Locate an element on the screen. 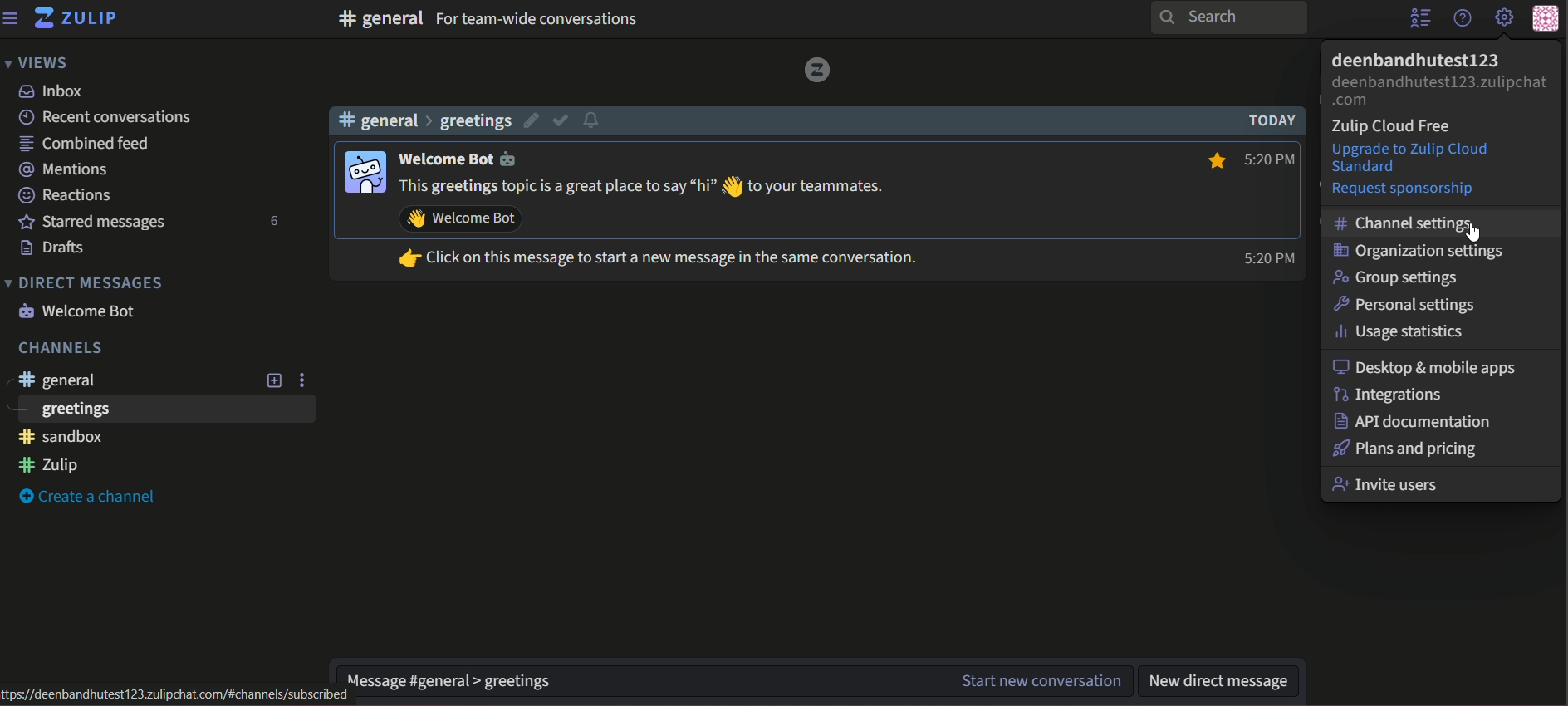 This screenshot has height=706, width=1568. star is located at coordinates (1213, 159).